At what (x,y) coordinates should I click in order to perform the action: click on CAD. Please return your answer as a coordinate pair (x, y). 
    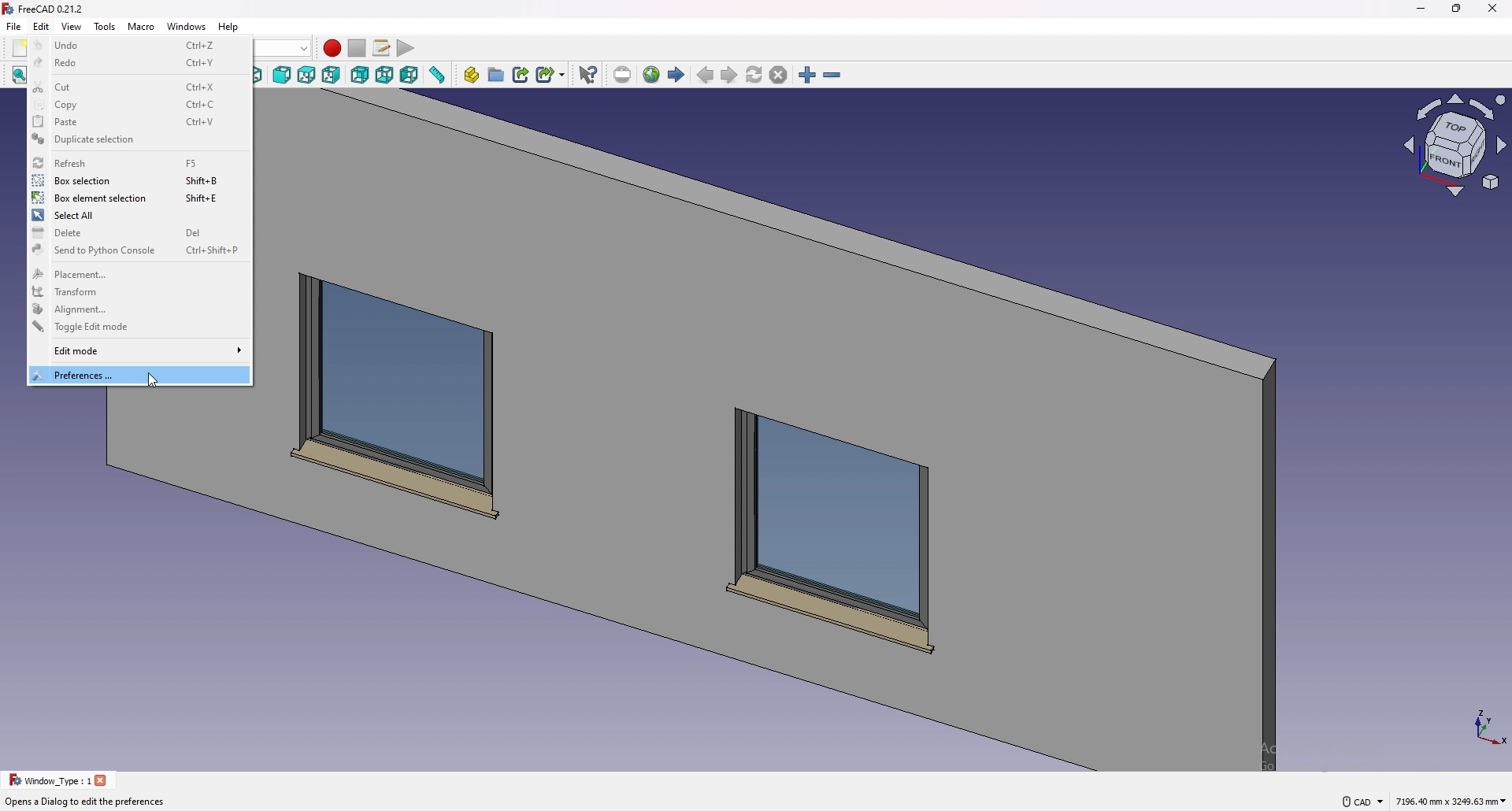
    Looking at the image, I should click on (1359, 799).